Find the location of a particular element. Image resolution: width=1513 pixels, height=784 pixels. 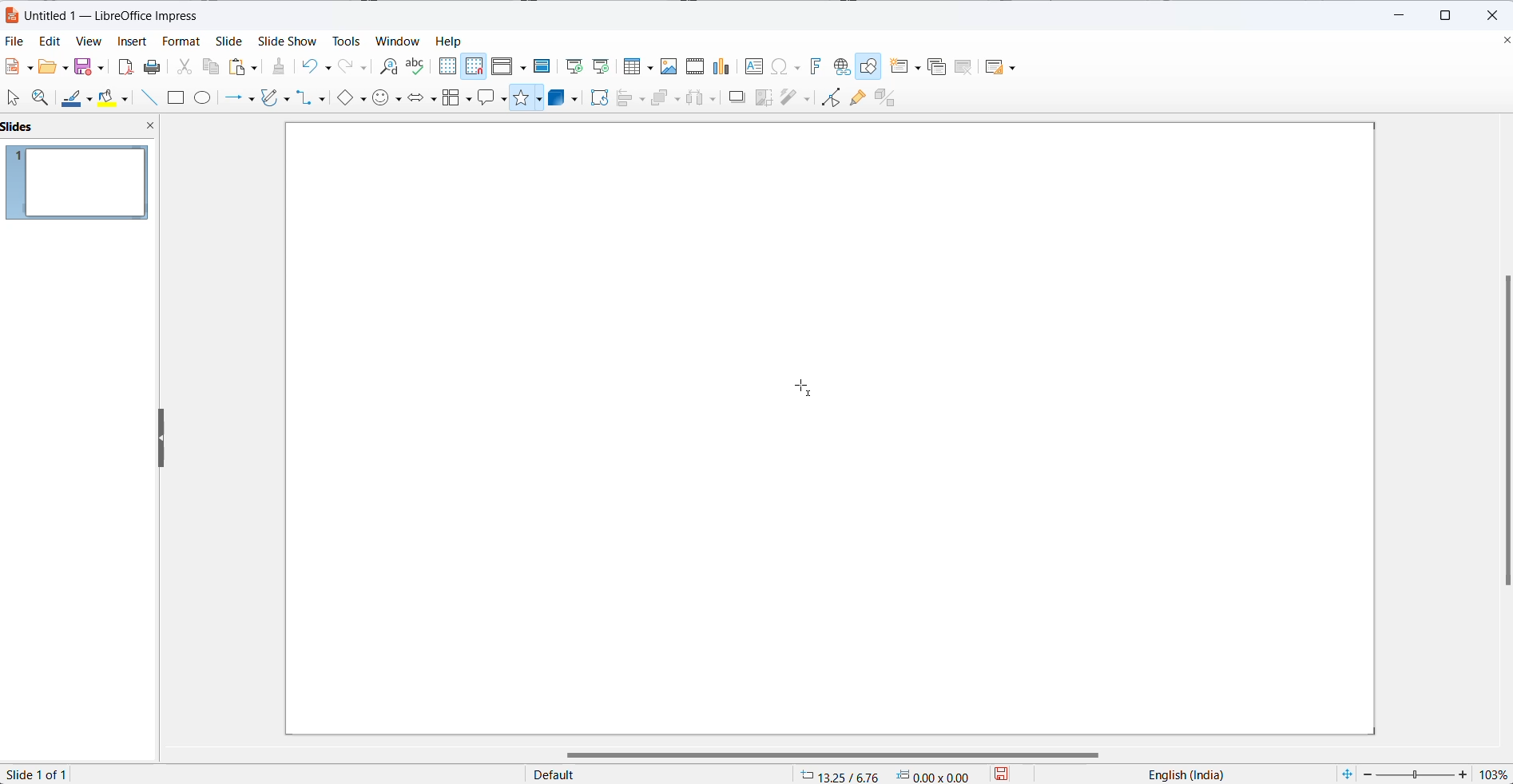

English(India) is located at coordinates (1177, 775).